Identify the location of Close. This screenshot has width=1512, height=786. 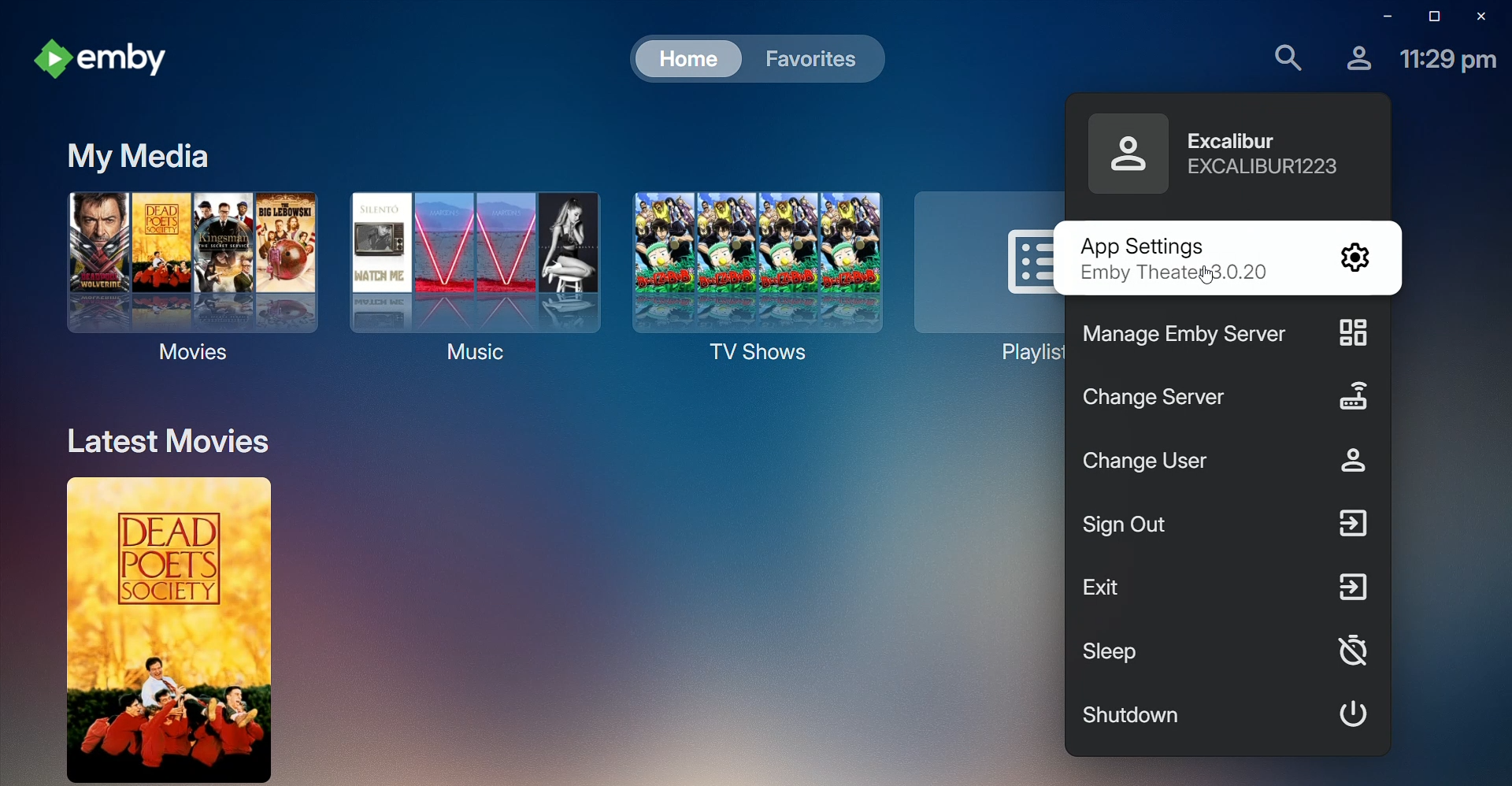
(1485, 15).